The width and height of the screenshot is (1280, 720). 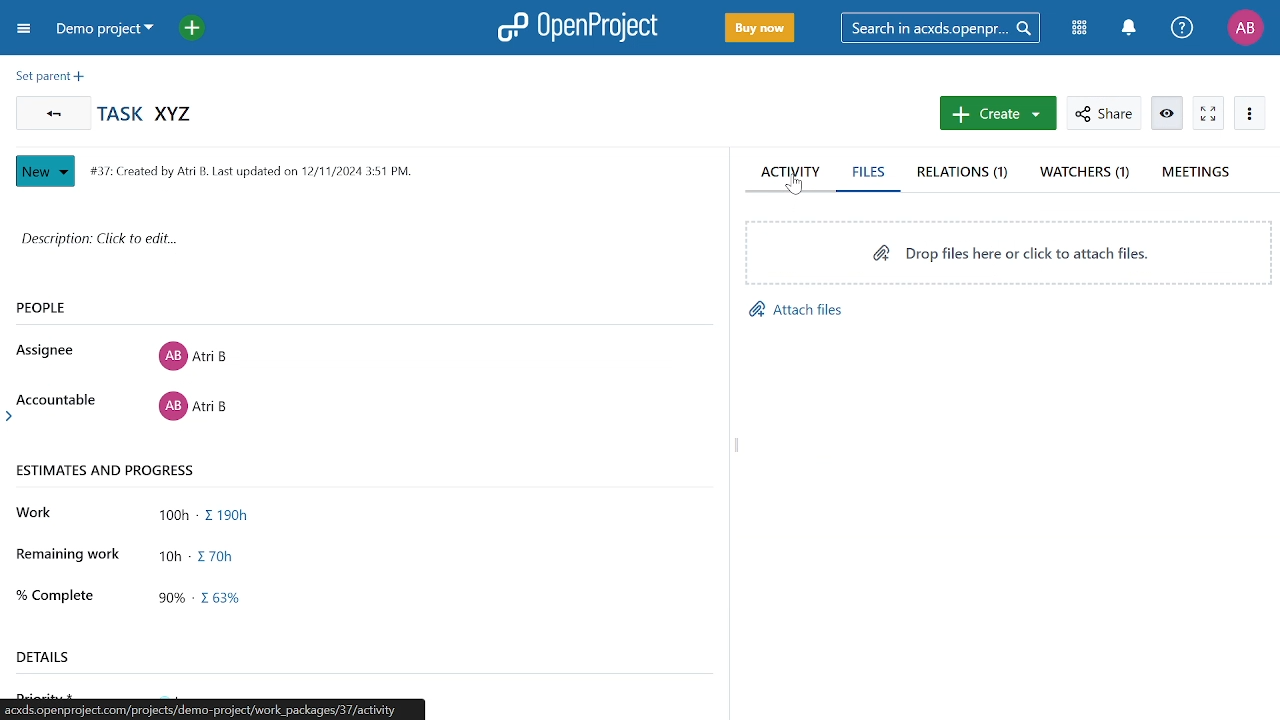 What do you see at coordinates (1194, 174) in the screenshot?
I see `Meetings` at bounding box center [1194, 174].